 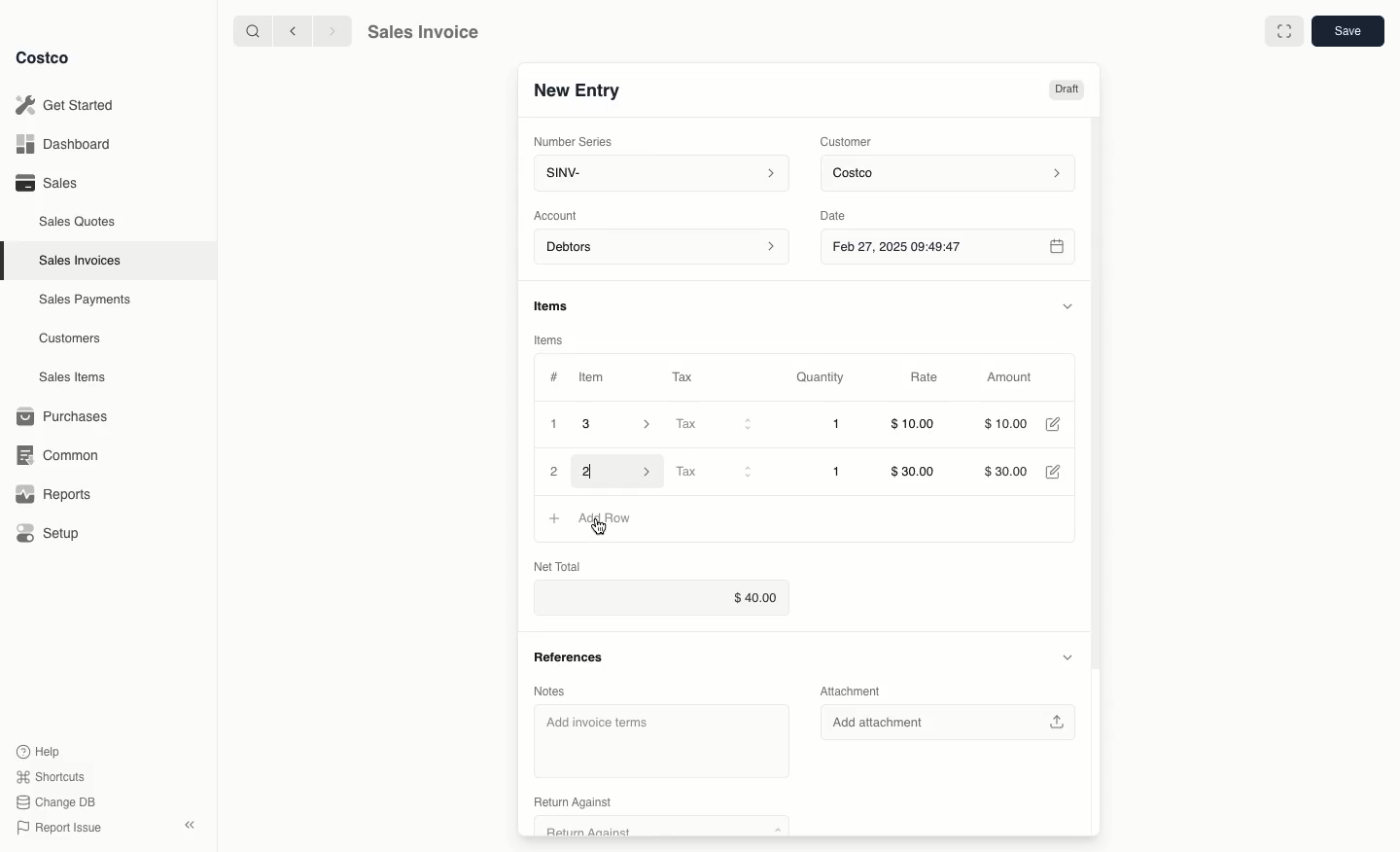 I want to click on Customers, so click(x=73, y=338).